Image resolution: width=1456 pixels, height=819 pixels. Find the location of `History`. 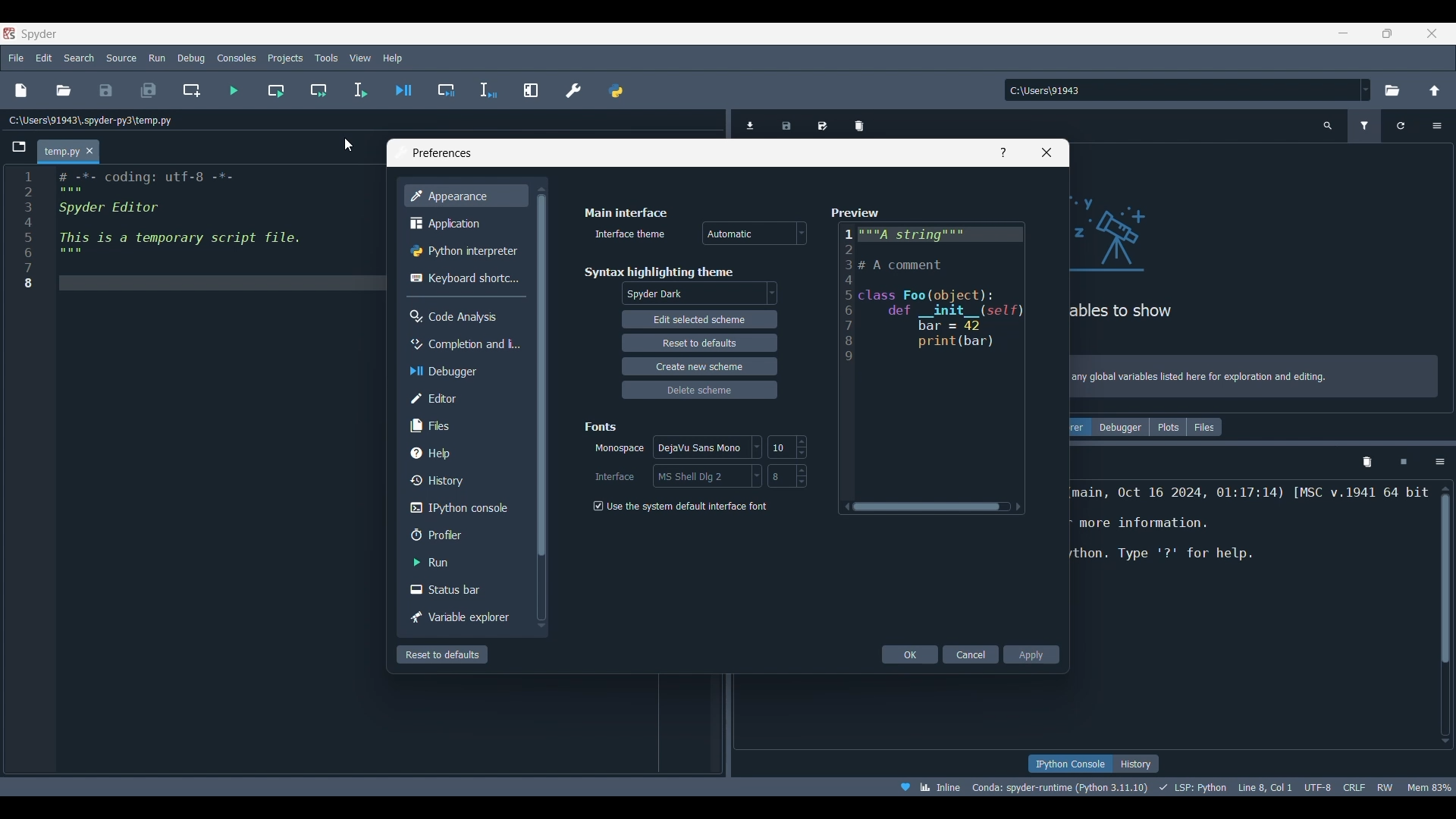

History is located at coordinates (1136, 763).